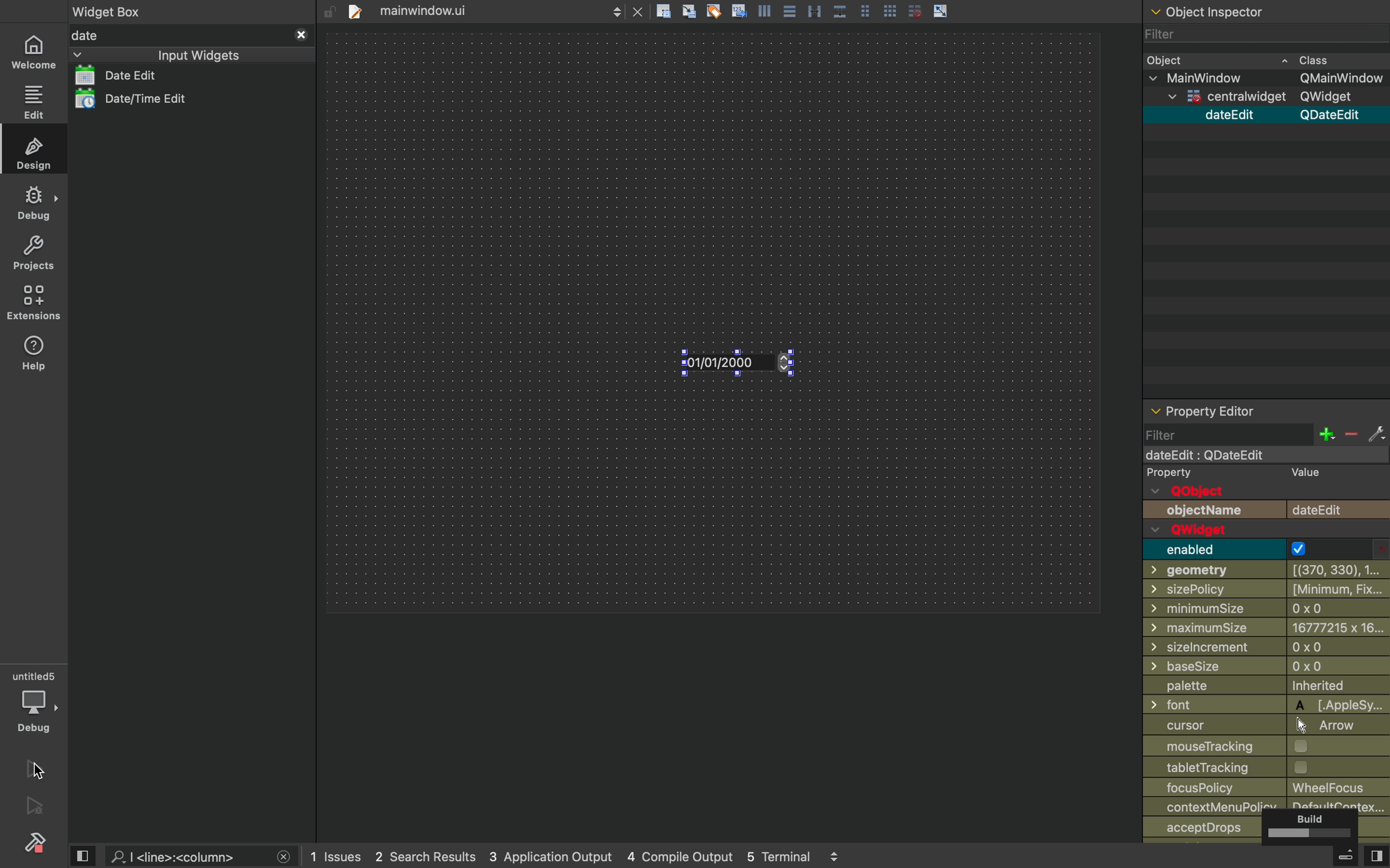 Image resolution: width=1390 pixels, height=868 pixels. What do you see at coordinates (142, 75) in the screenshot?
I see `date list` at bounding box center [142, 75].